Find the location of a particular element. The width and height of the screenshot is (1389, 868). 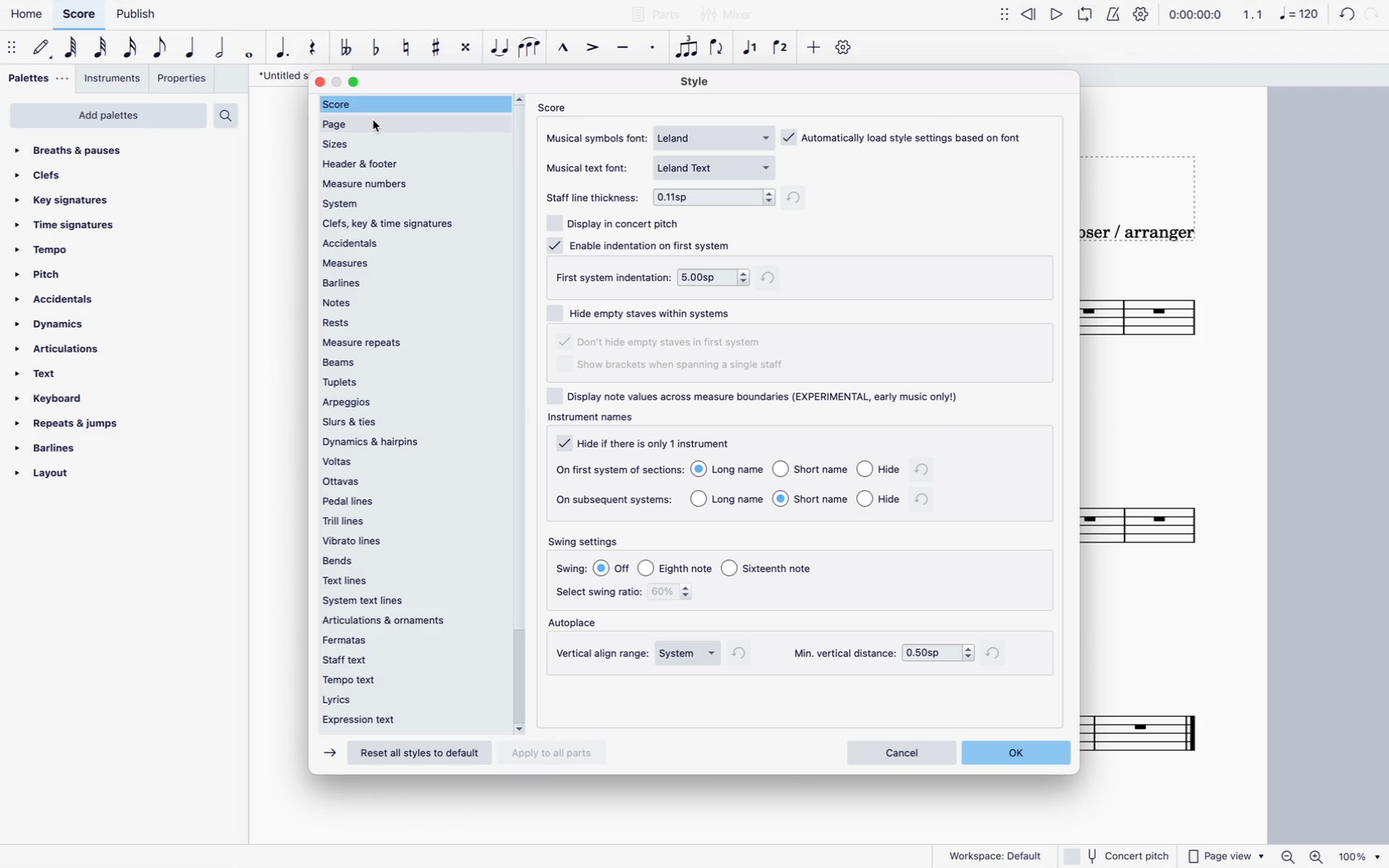

cancel is located at coordinates (900, 752).